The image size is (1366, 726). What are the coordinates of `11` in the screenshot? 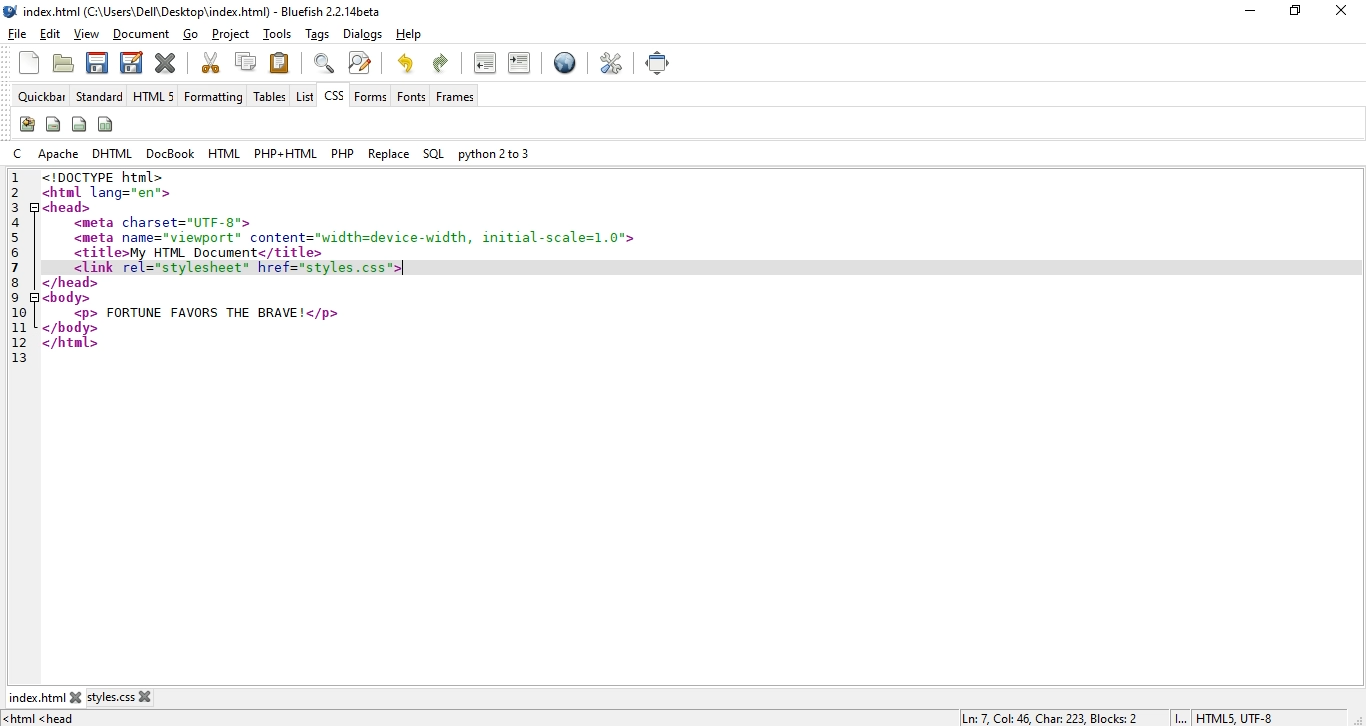 It's located at (18, 326).